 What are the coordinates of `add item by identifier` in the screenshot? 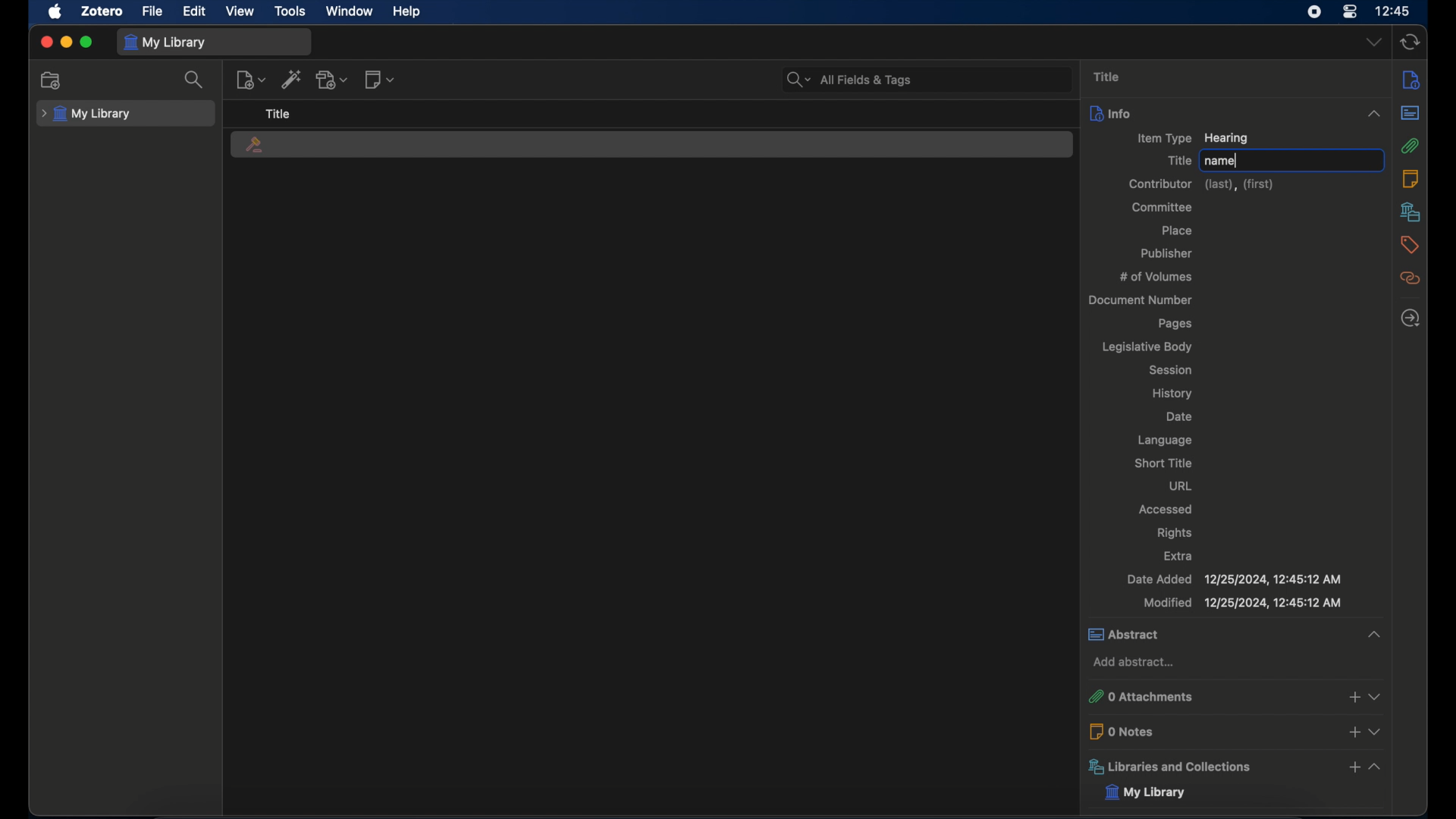 It's located at (292, 79).